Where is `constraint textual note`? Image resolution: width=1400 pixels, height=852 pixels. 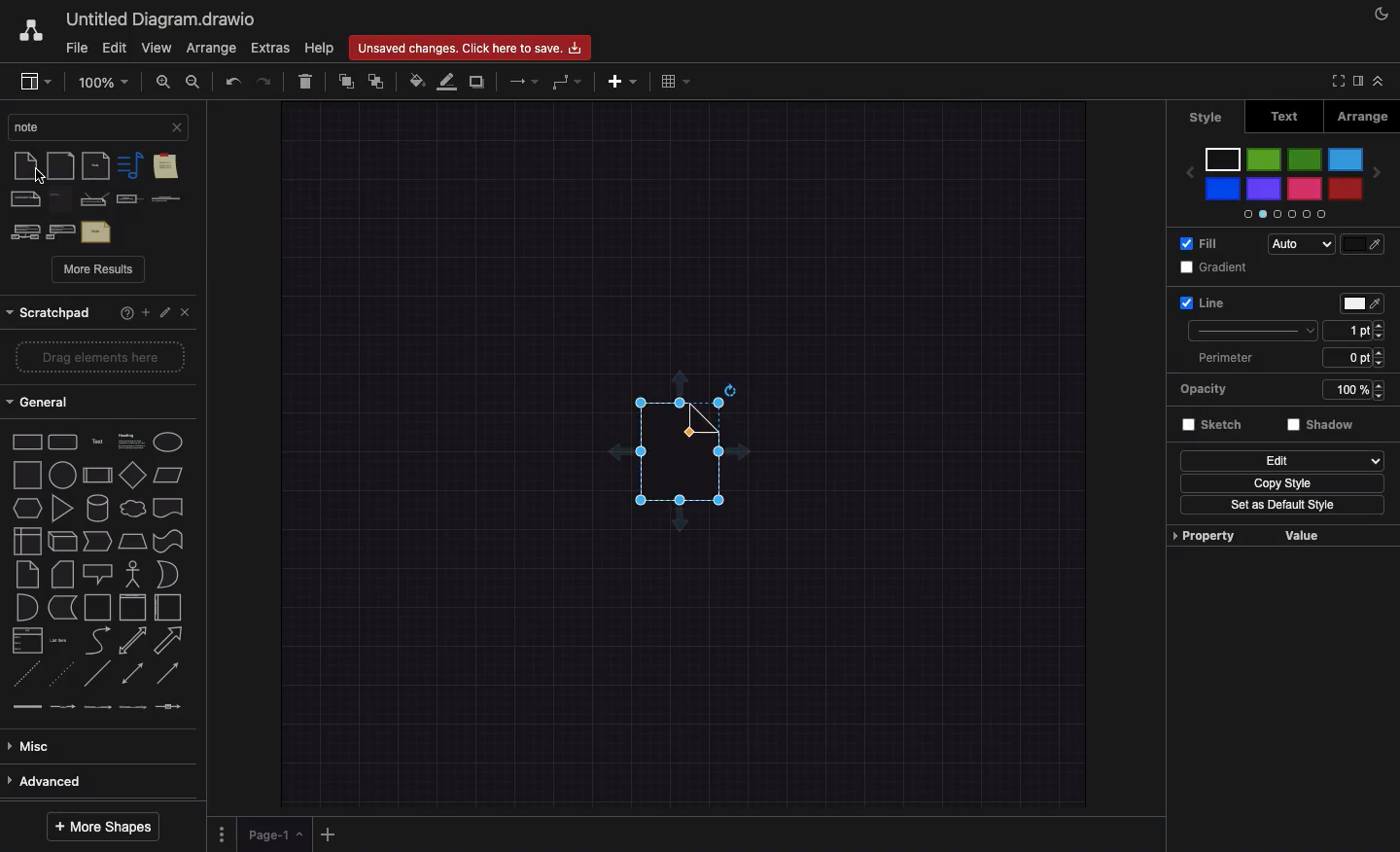
constraint textual note is located at coordinates (128, 200).